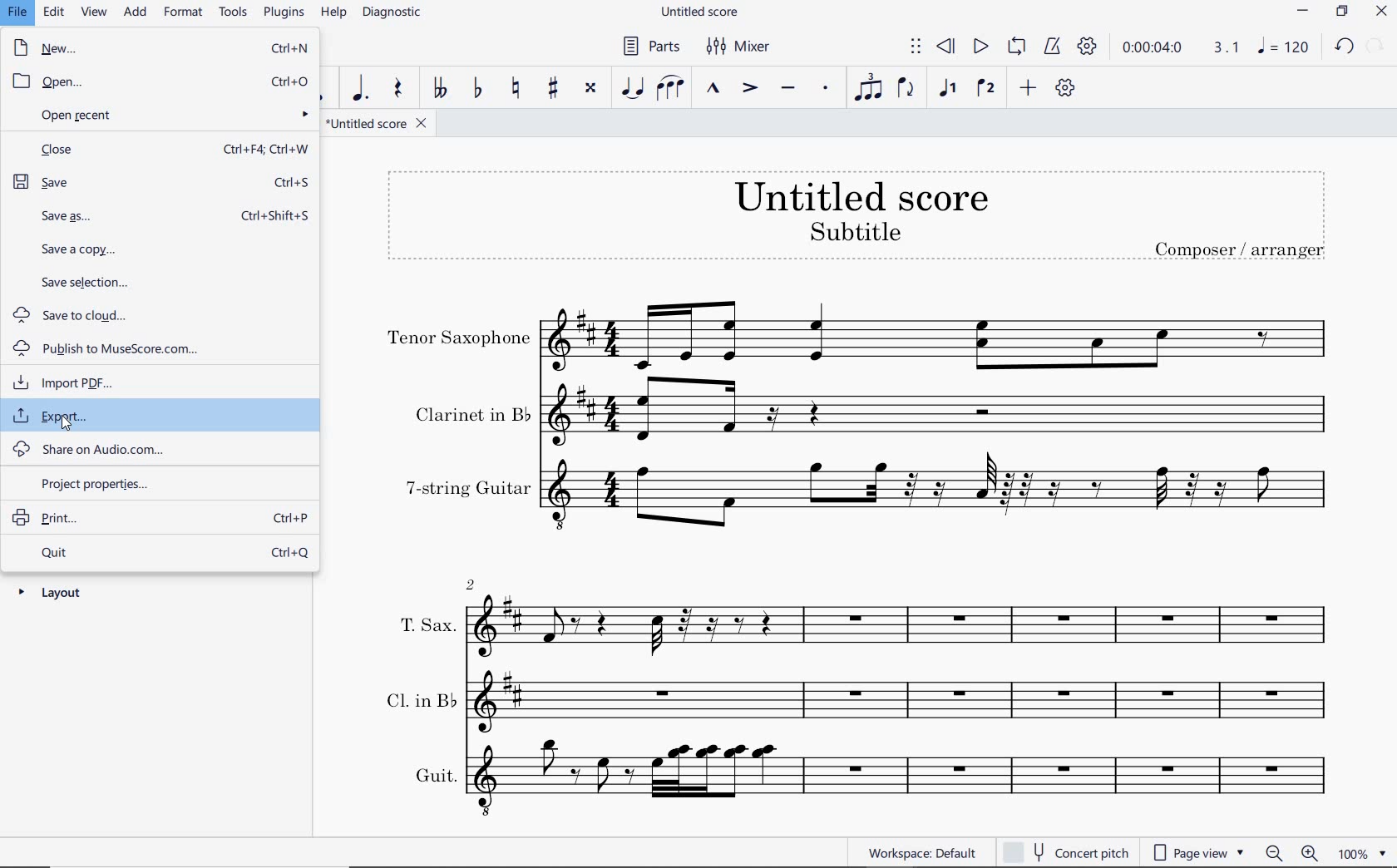  I want to click on TOGGLE NATURAL, so click(515, 89).